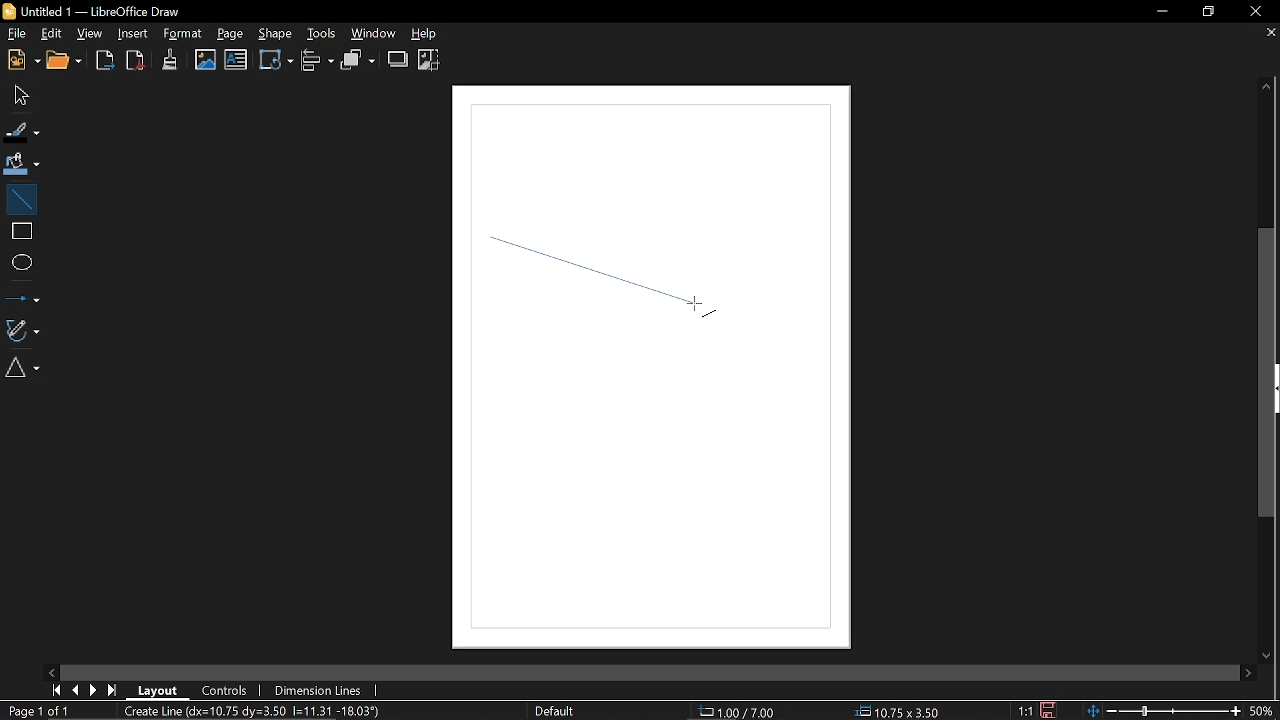 This screenshot has height=720, width=1280. I want to click on Fill color, so click(22, 163).